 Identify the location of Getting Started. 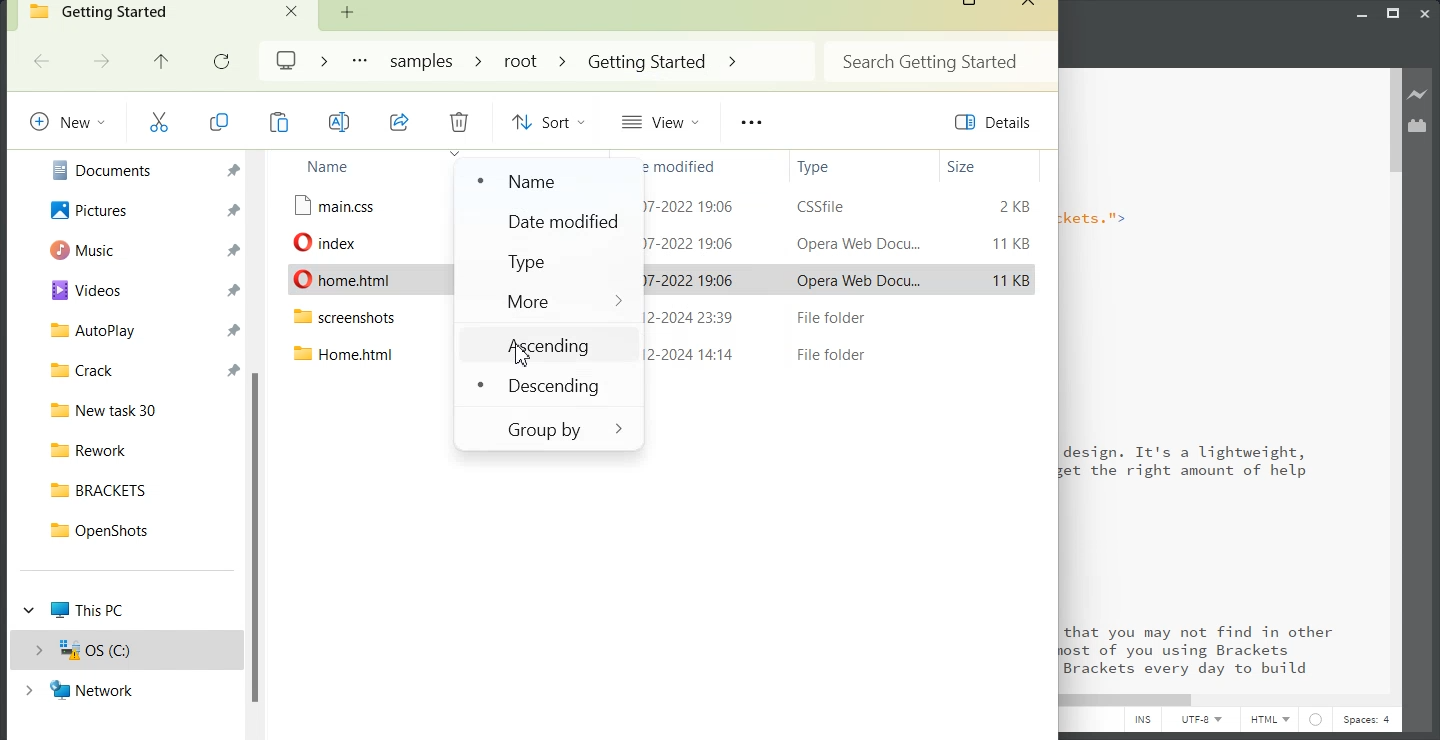
(647, 62).